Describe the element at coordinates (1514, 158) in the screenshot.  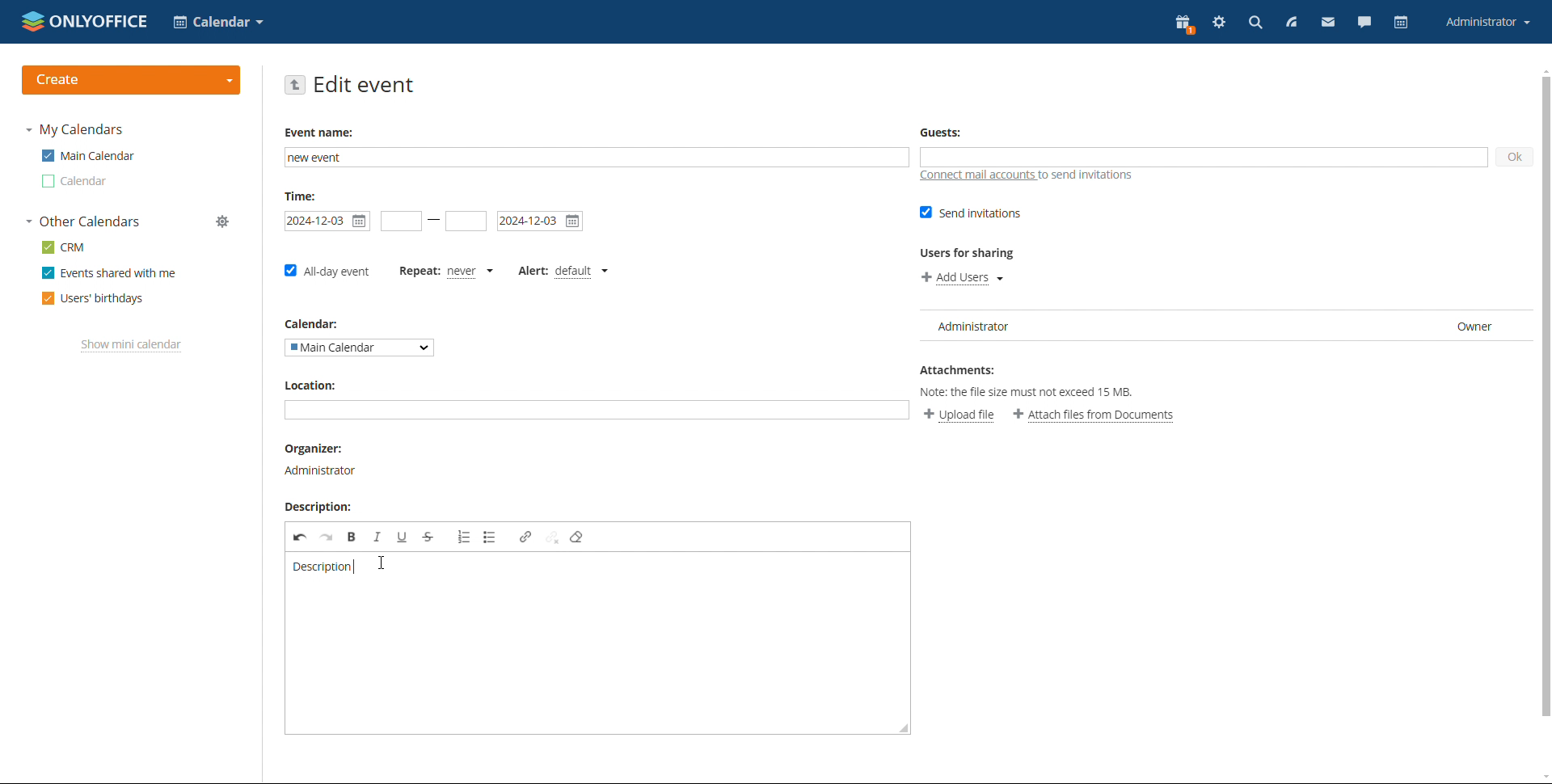
I see `ok` at that location.